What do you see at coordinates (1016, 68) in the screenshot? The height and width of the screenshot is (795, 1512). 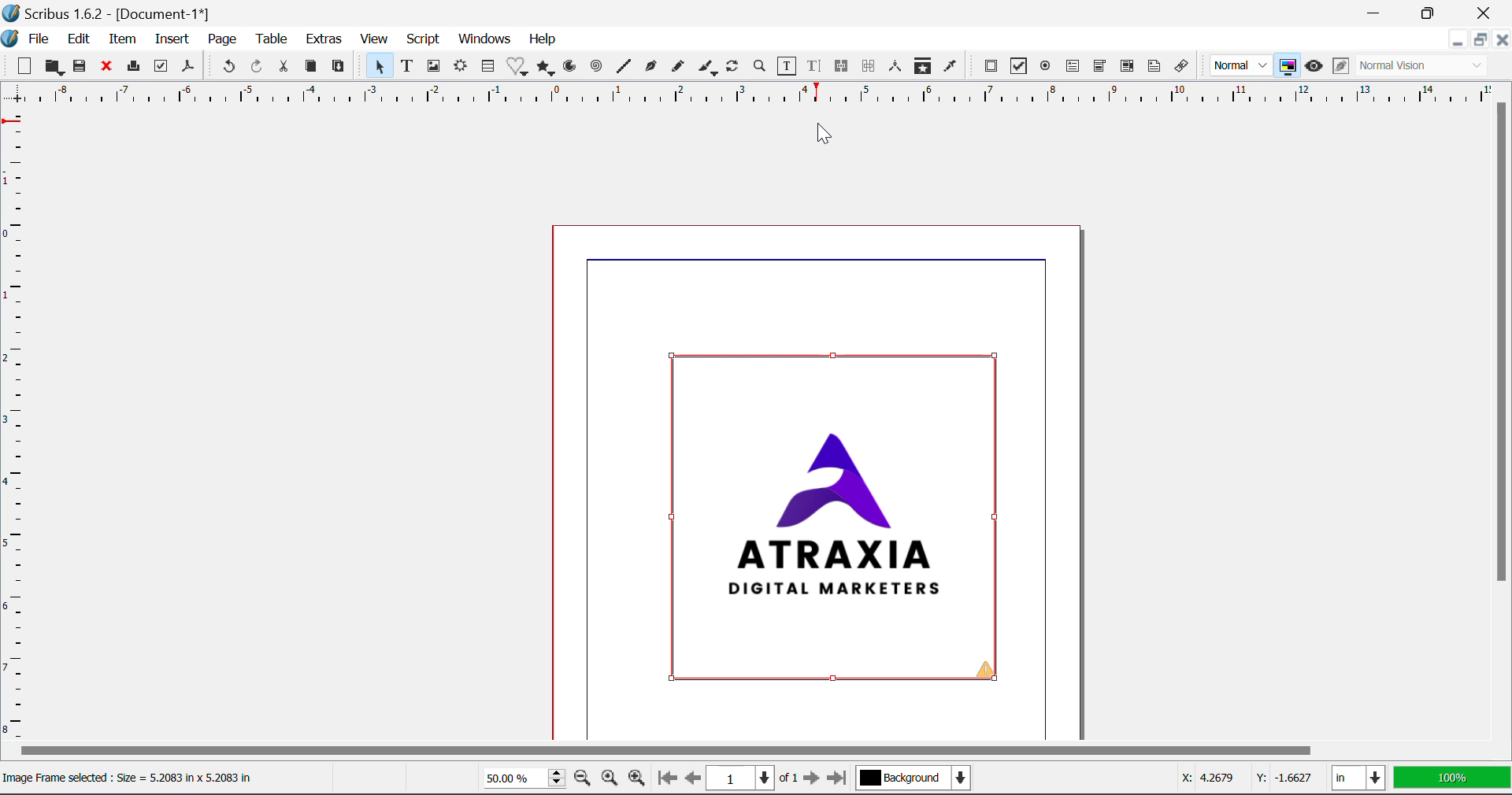 I see `Pdf Checkbox` at bounding box center [1016, 68].